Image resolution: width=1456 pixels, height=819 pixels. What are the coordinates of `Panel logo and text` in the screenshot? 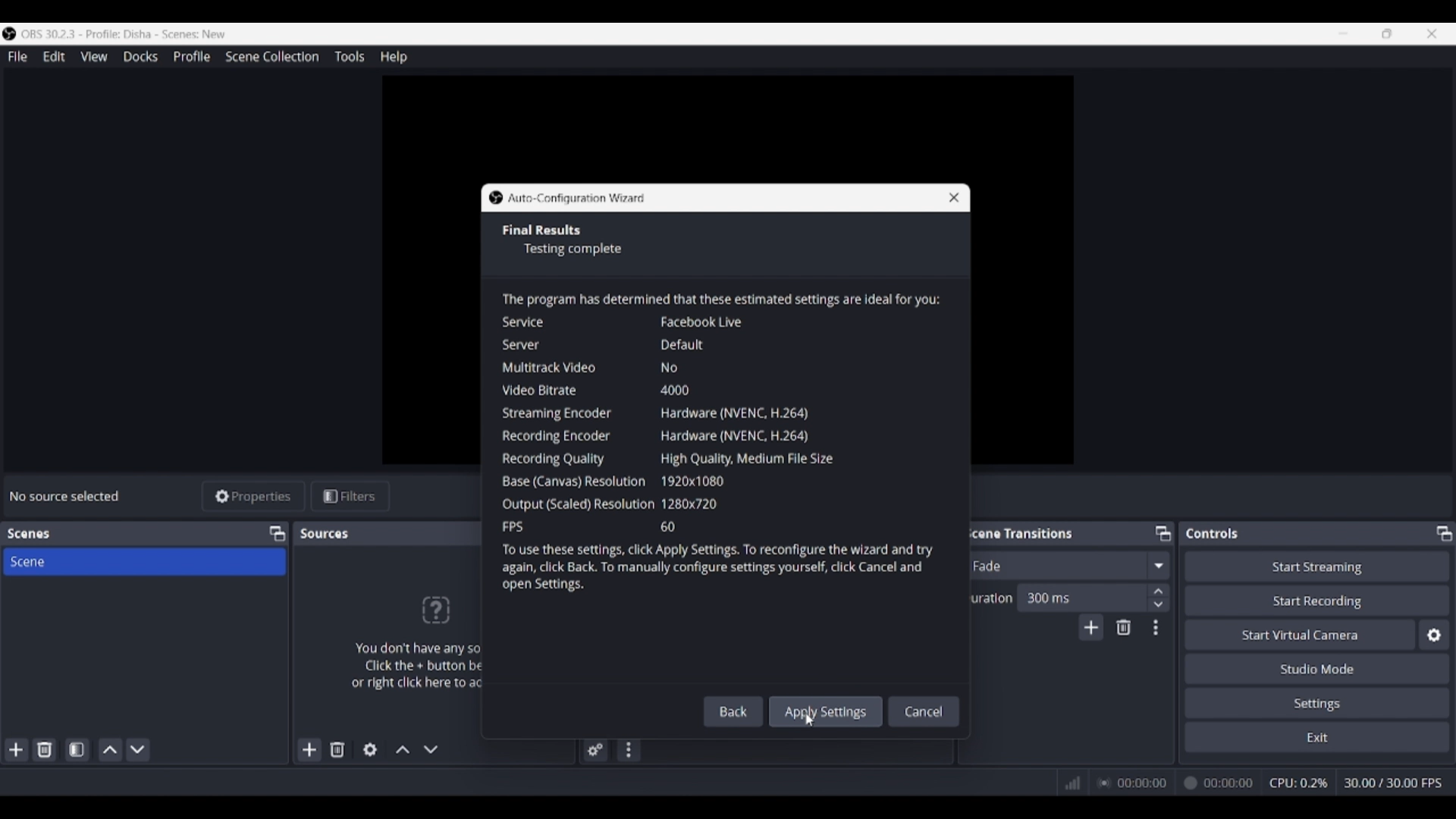 It's located at (409, 642).